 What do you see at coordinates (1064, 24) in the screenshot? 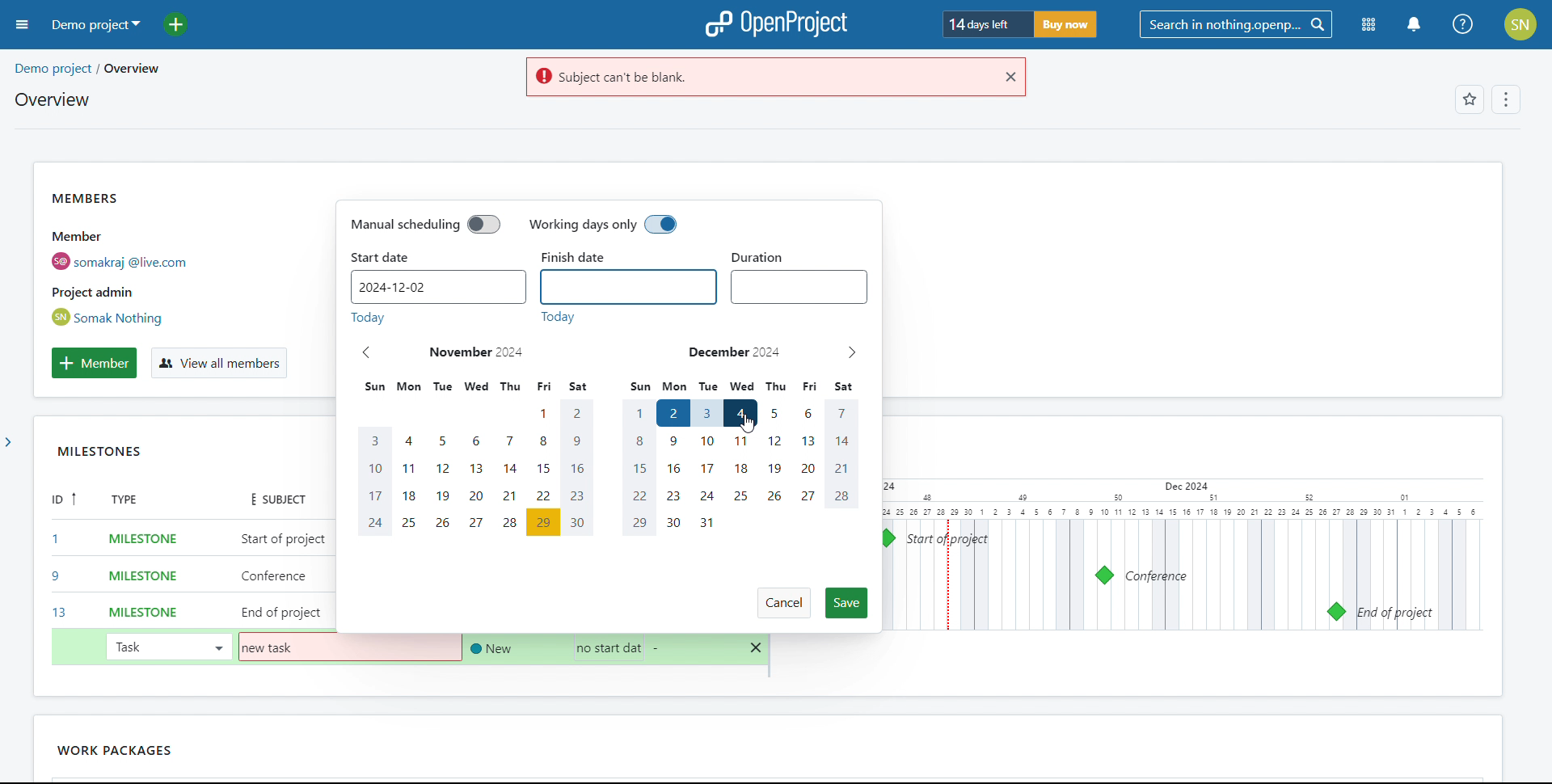
I see `buy now` at bounding box center [1064, 24].